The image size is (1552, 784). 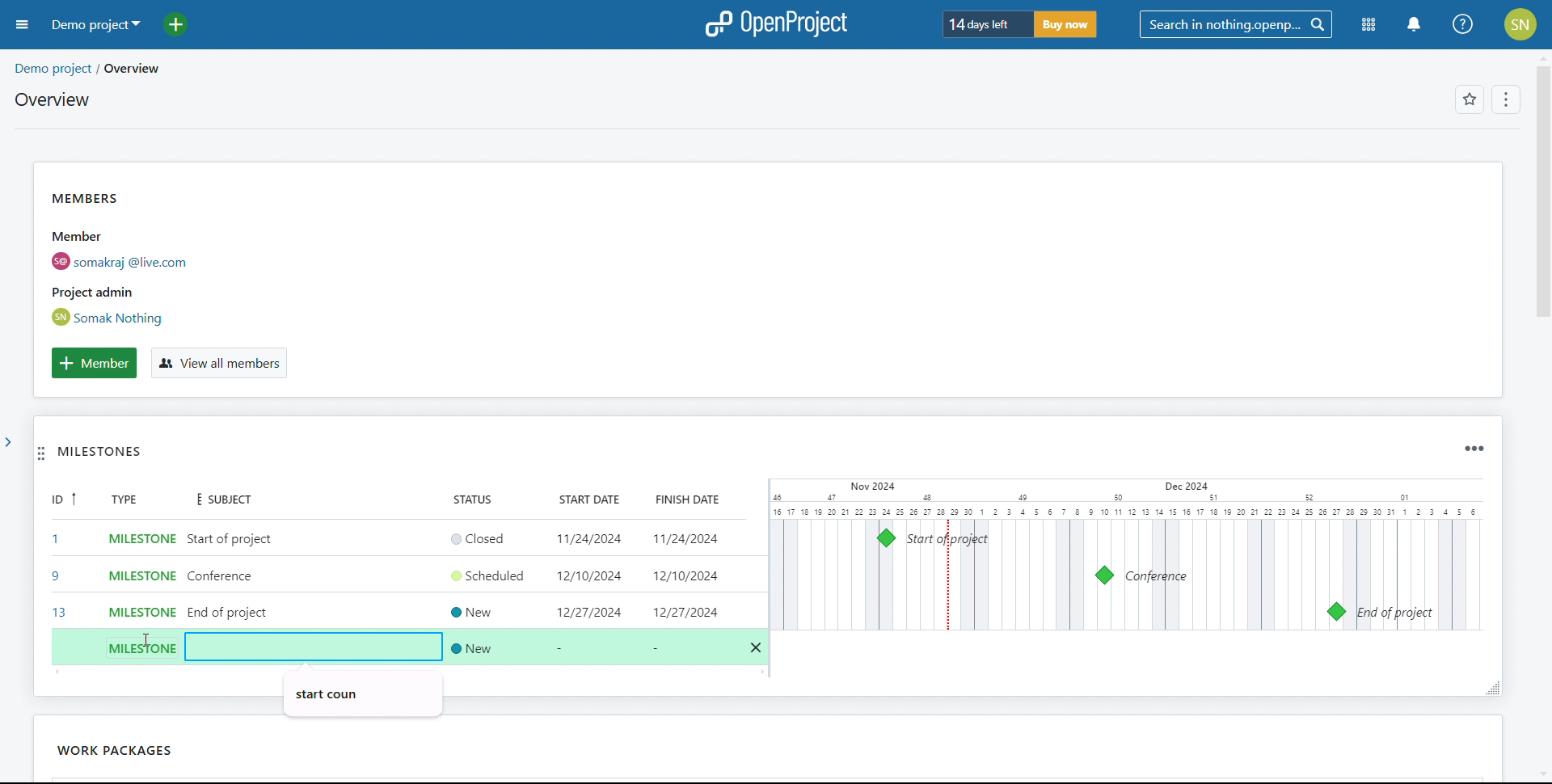 What do you see at coordinates (86, 69) in the screenshot?
I see `demo project/overview` at bounding box center [86, 69].